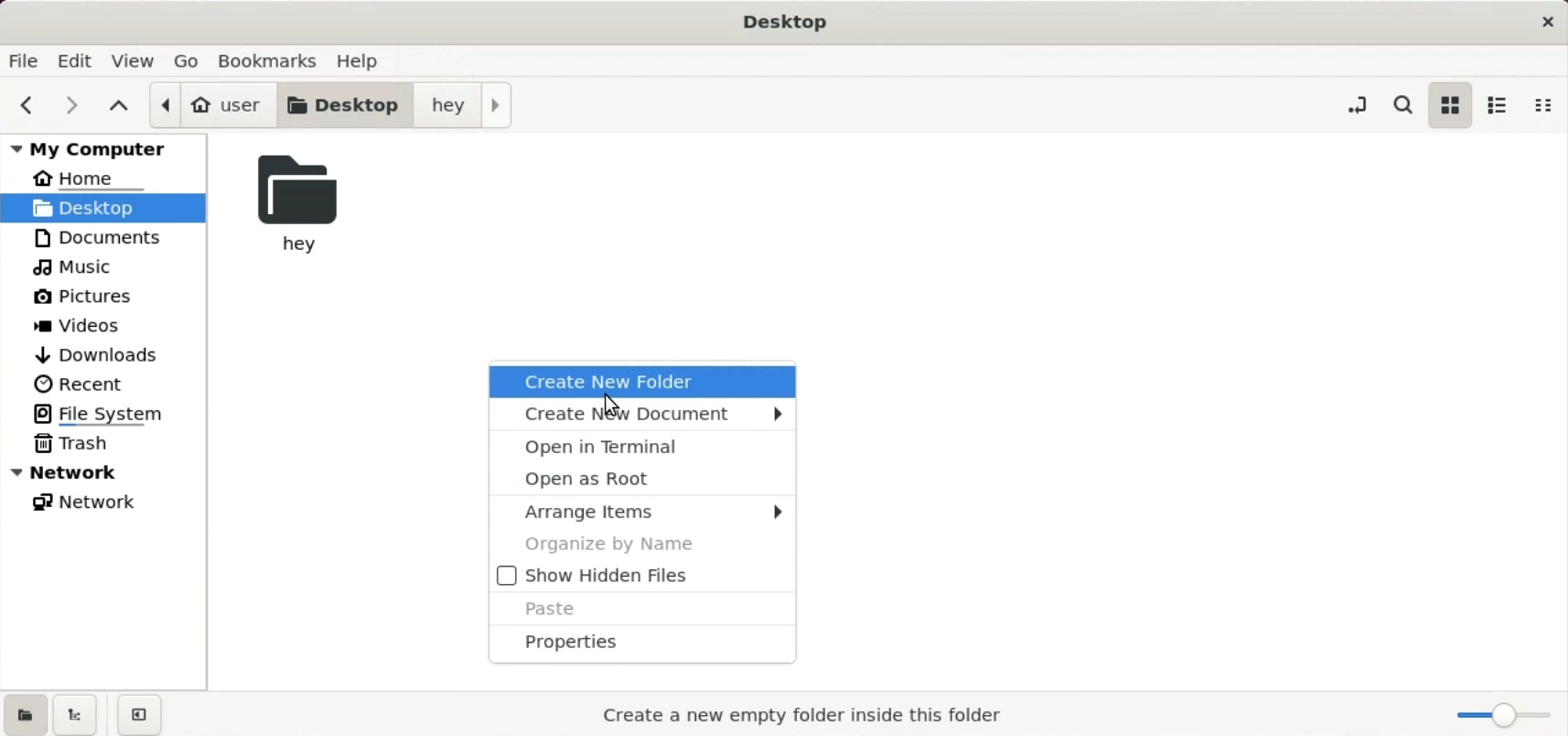 The image size is (1568, 736). I want to click on trash, so click(82, 445).